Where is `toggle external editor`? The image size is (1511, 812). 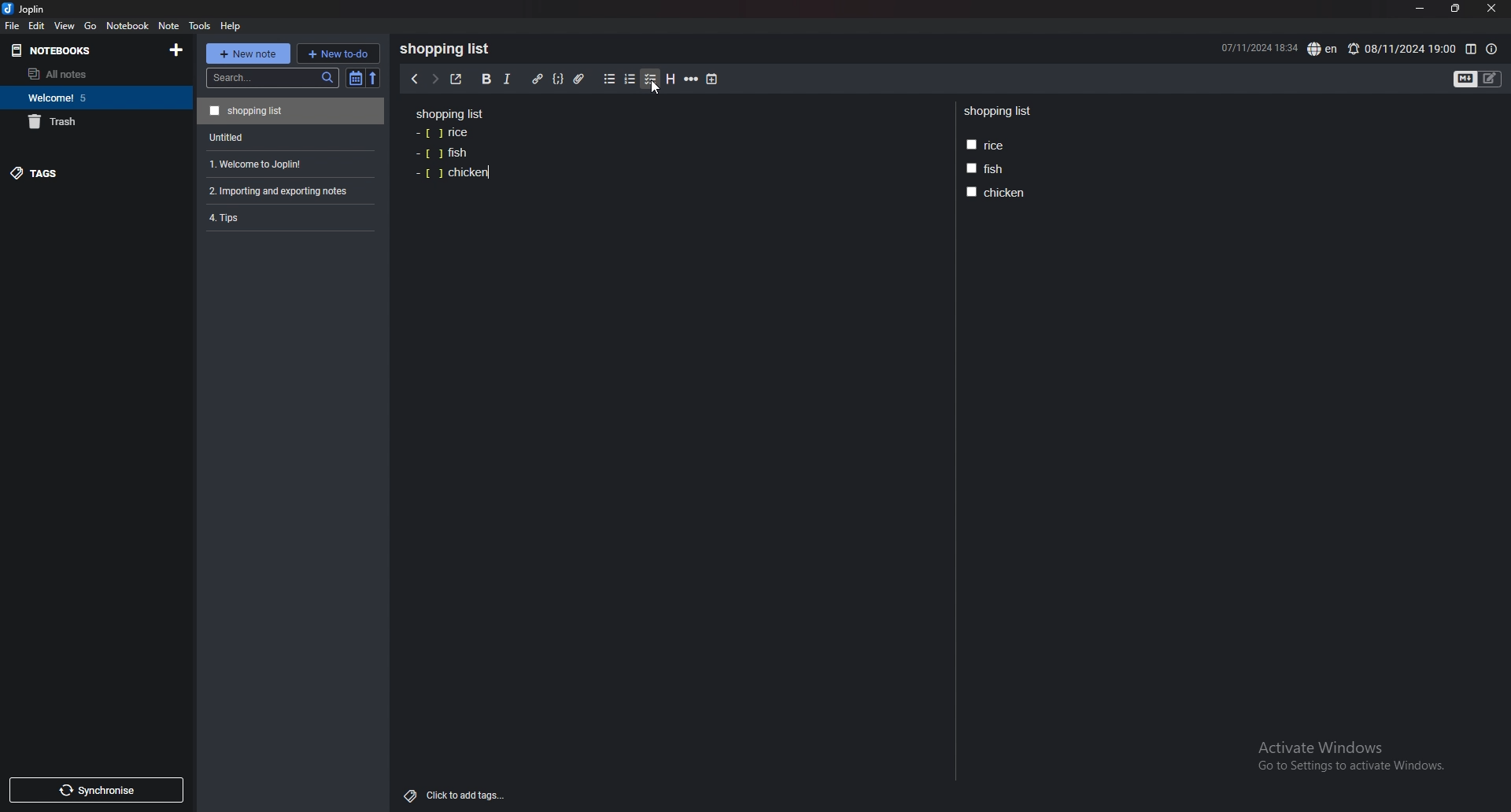
toggle external editor is located at coordinates (456, 79).